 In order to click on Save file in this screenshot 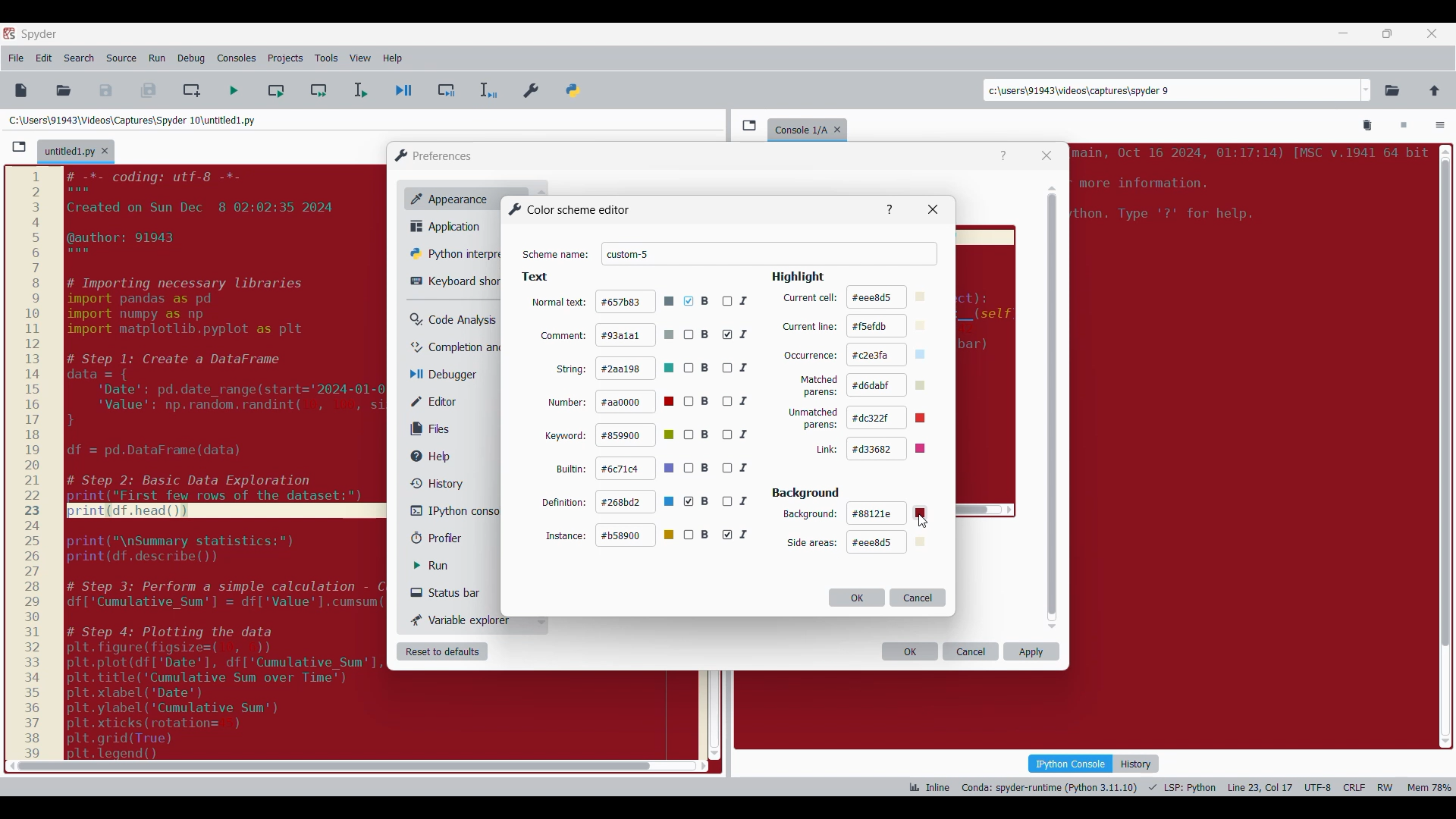, I will do `click(107, 90)`.